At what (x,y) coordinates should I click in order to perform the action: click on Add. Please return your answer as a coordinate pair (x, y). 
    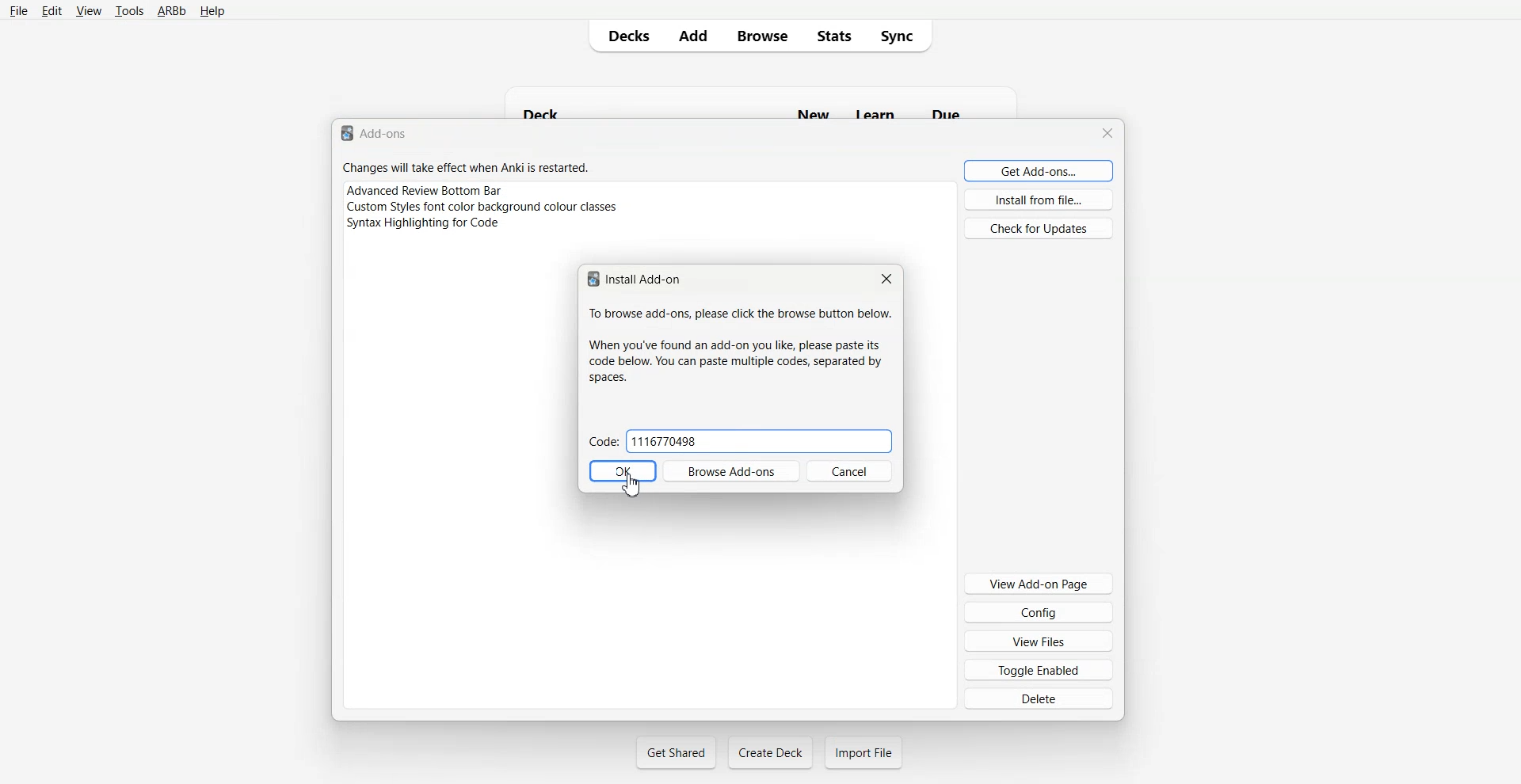
    Looking at the image, I should click on (692, 36).